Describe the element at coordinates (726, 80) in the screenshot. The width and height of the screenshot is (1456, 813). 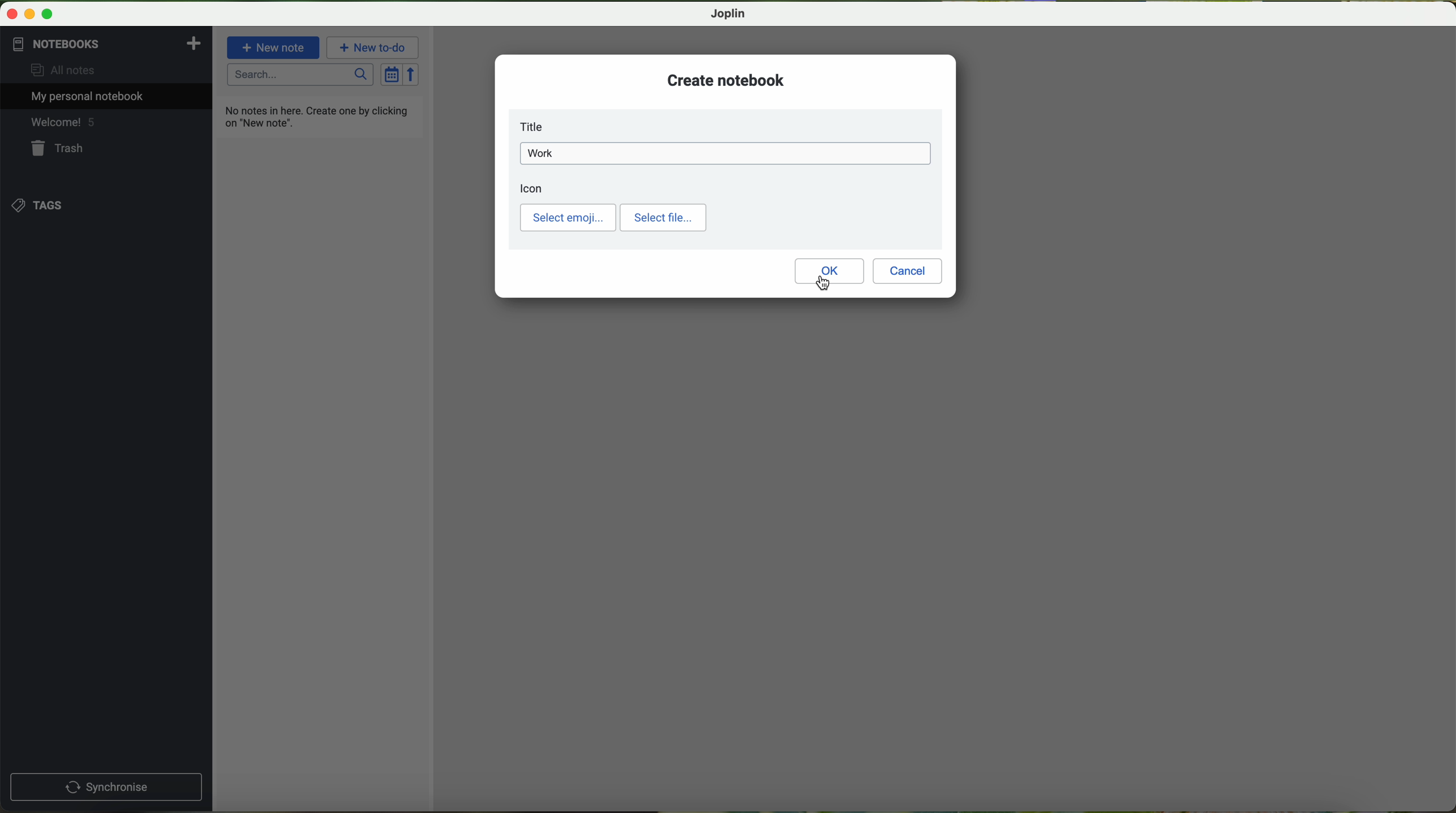
I see `create notebook` at that location.